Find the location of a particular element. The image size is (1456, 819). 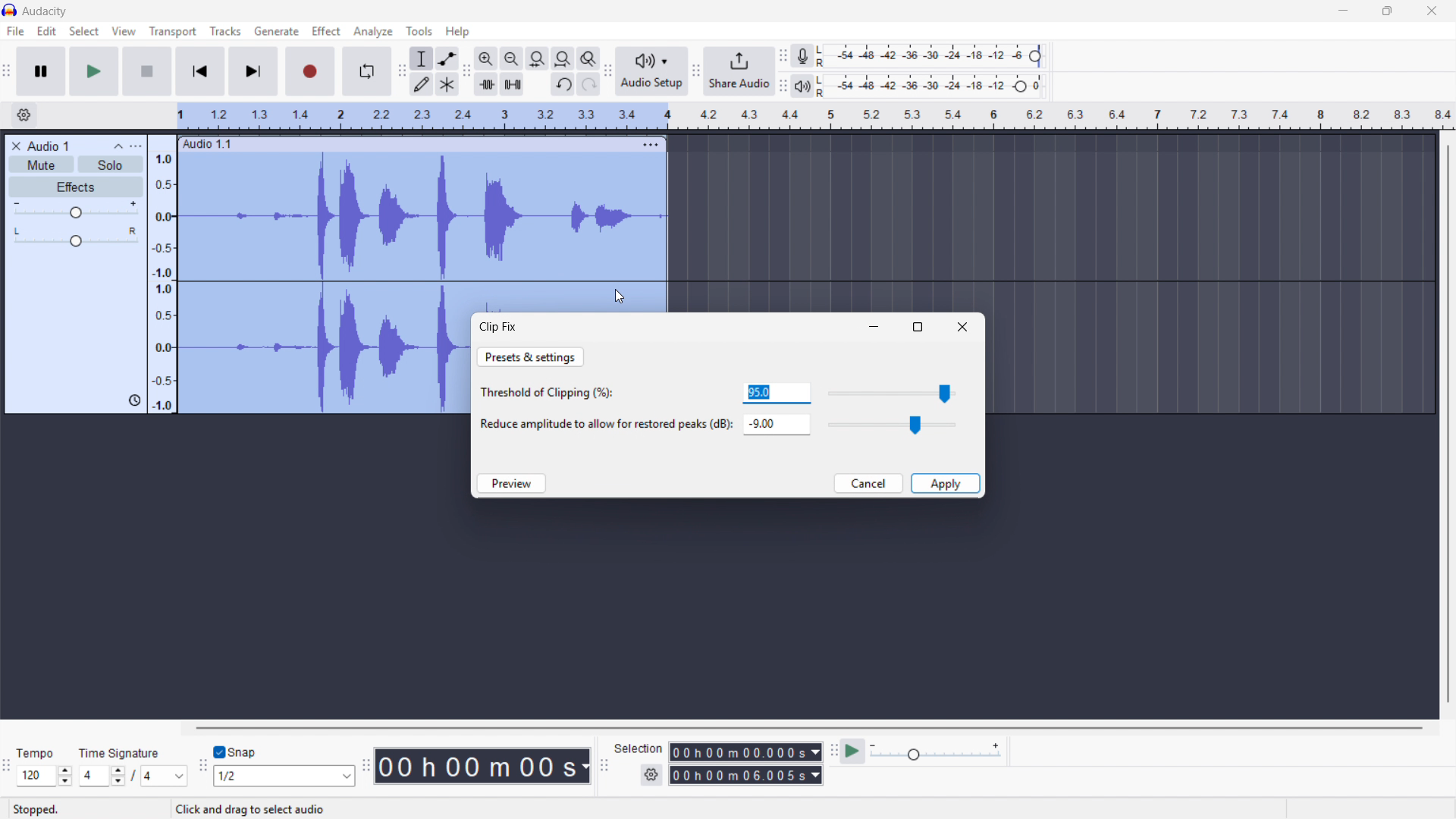

Skip to start  is located at coordinates (199, 71).